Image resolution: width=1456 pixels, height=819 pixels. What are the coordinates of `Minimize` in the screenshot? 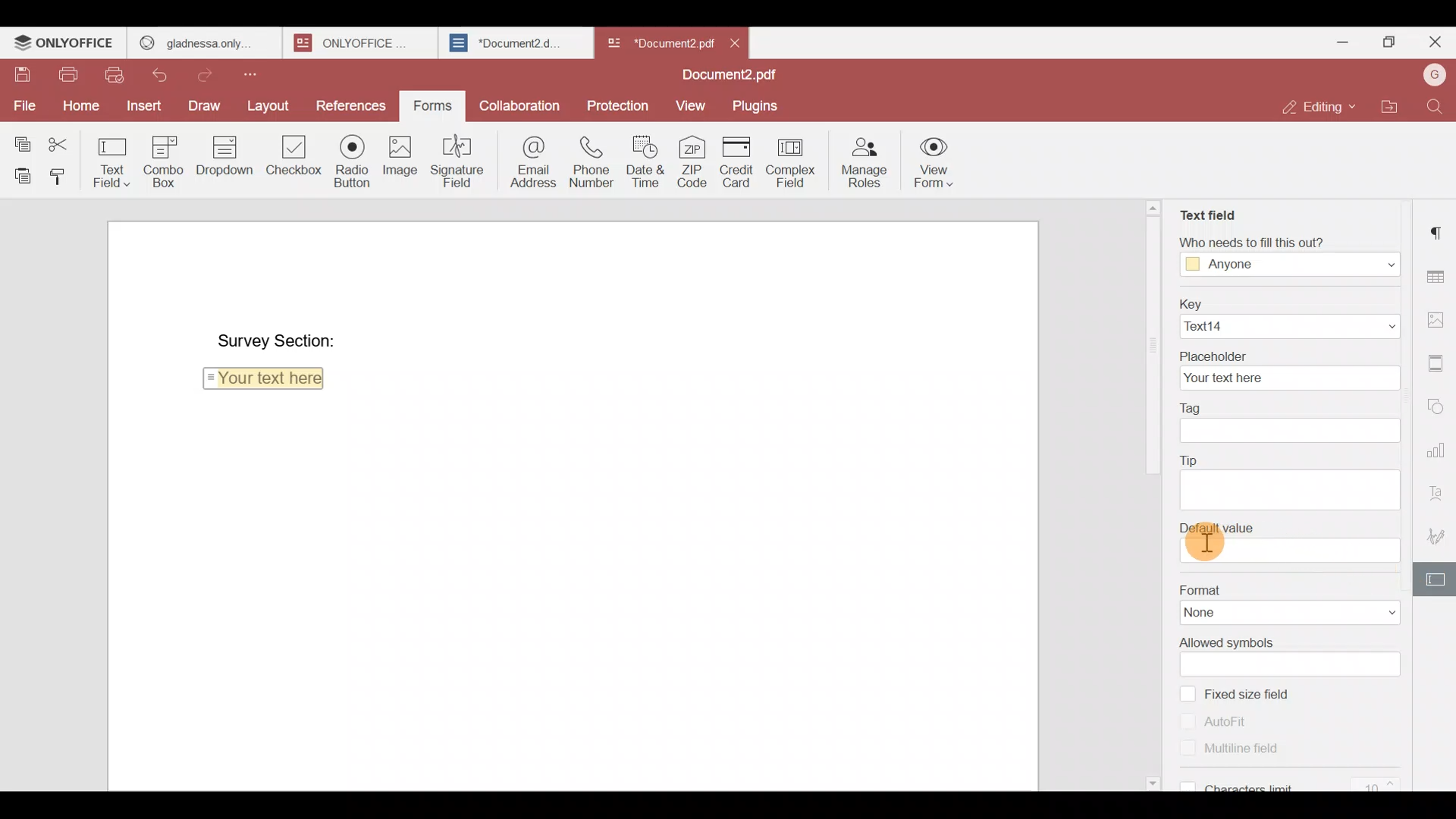 It's located at (1348, 42).